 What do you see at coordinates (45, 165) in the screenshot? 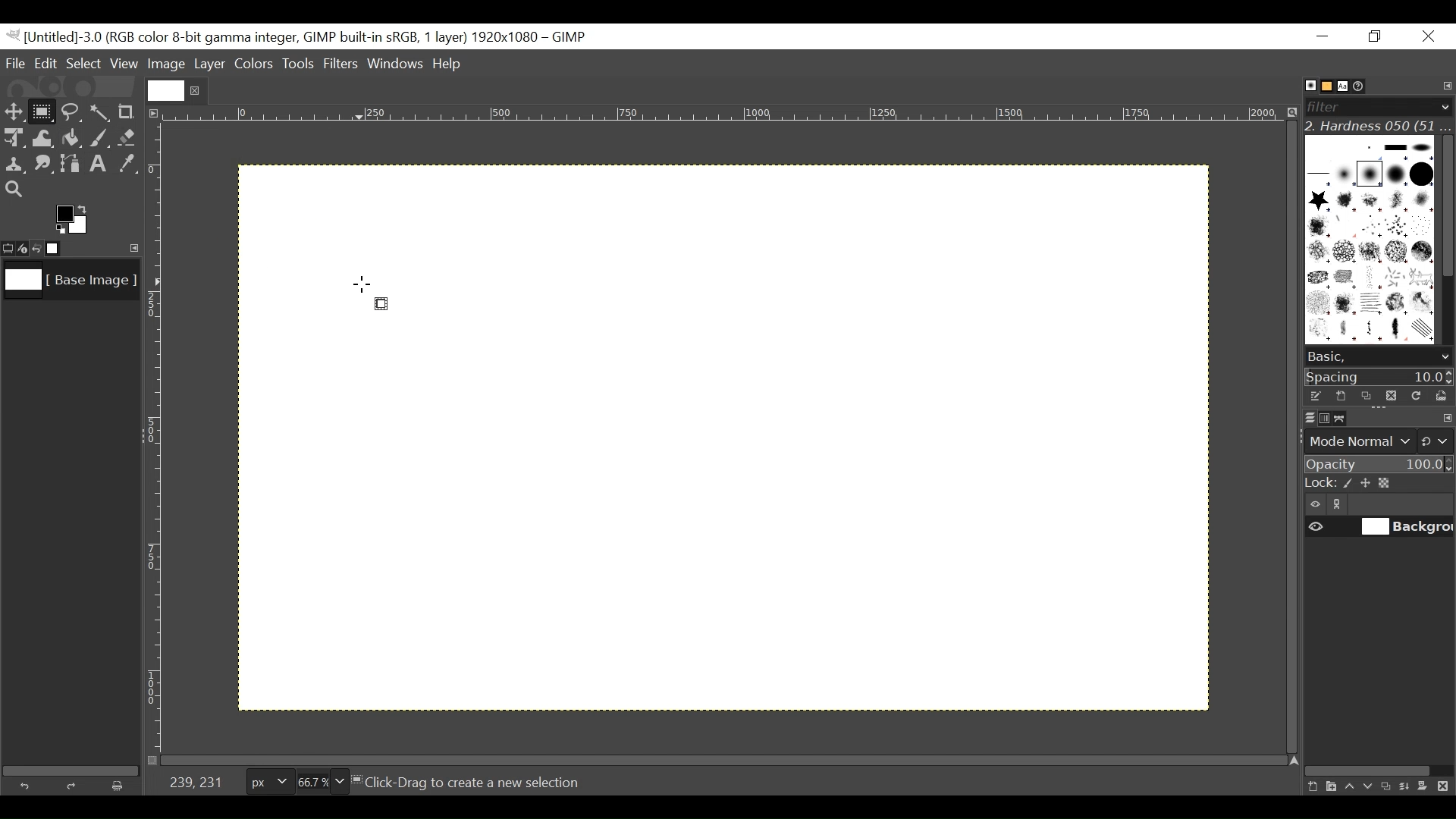
I see `Smudge tool` at bounding box center [45, 165].